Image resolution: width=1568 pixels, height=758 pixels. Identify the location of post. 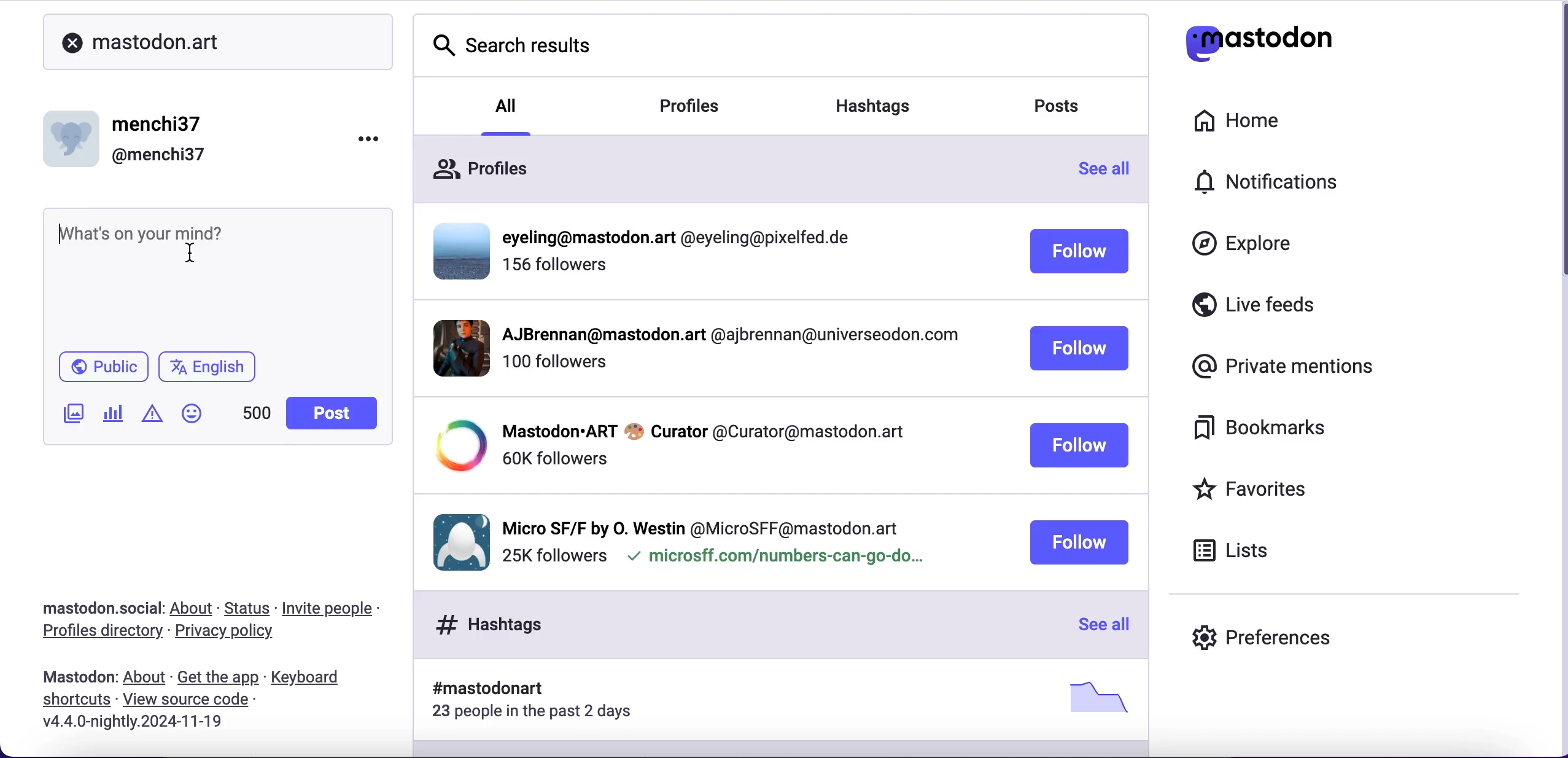
(333, 413).